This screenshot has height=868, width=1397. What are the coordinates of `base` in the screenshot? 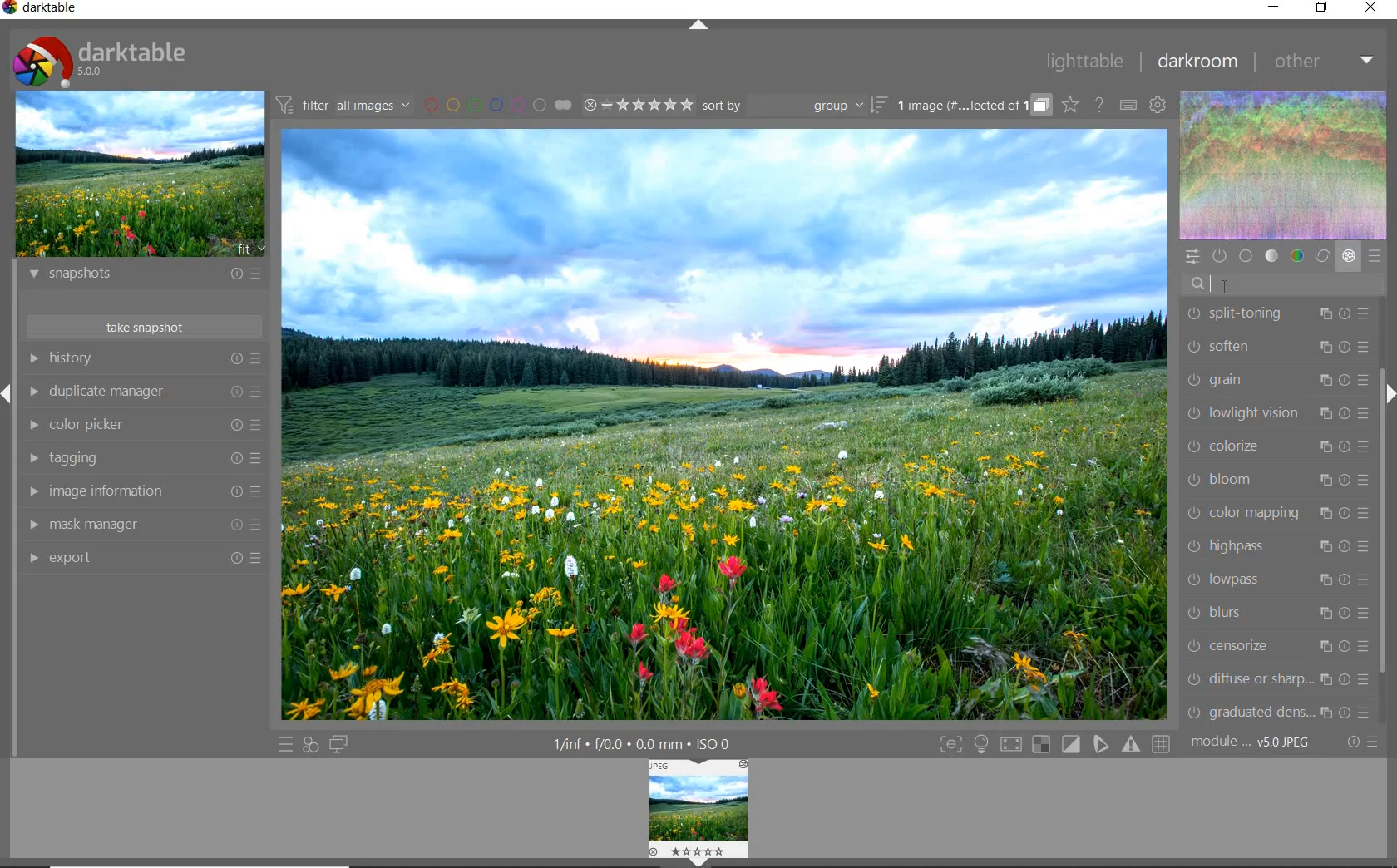 It's located at (1246, 256).